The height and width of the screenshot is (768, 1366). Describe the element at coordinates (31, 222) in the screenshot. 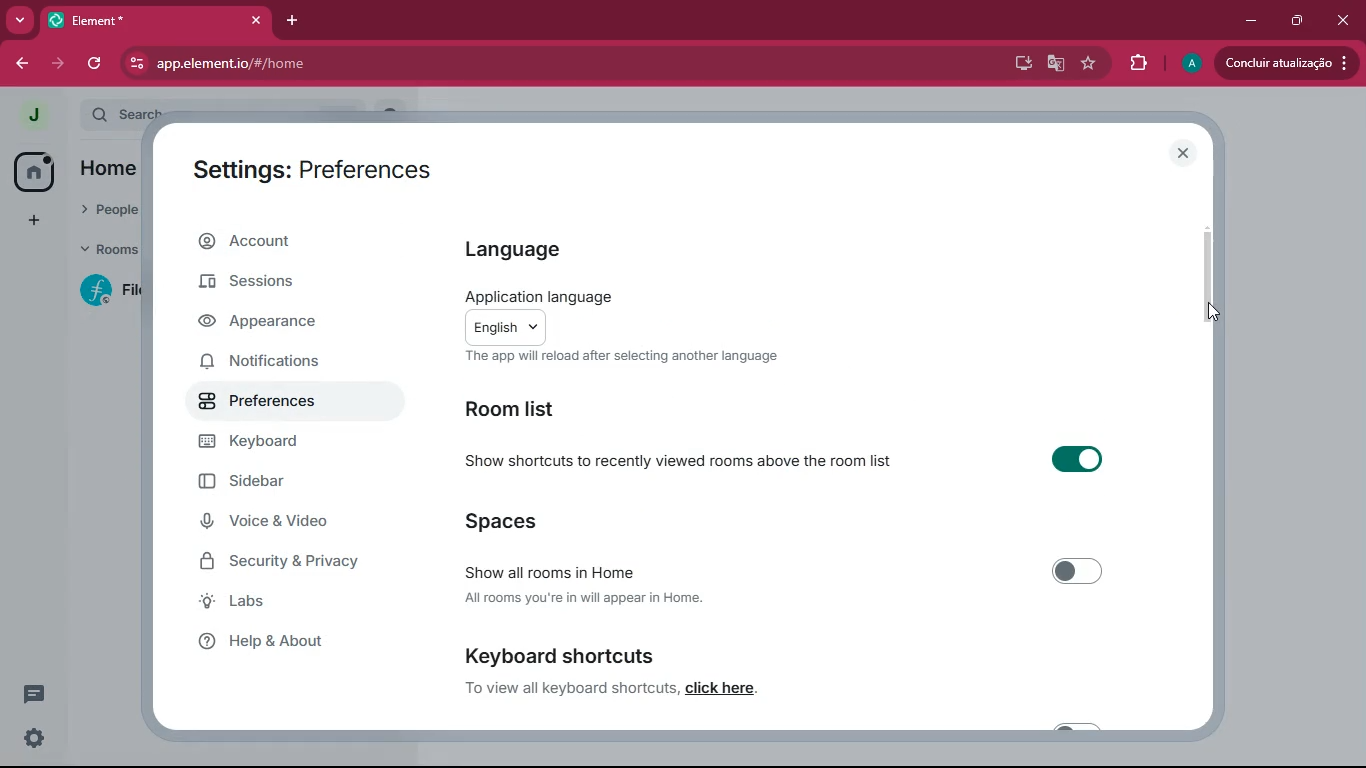

I see `add` at that location.